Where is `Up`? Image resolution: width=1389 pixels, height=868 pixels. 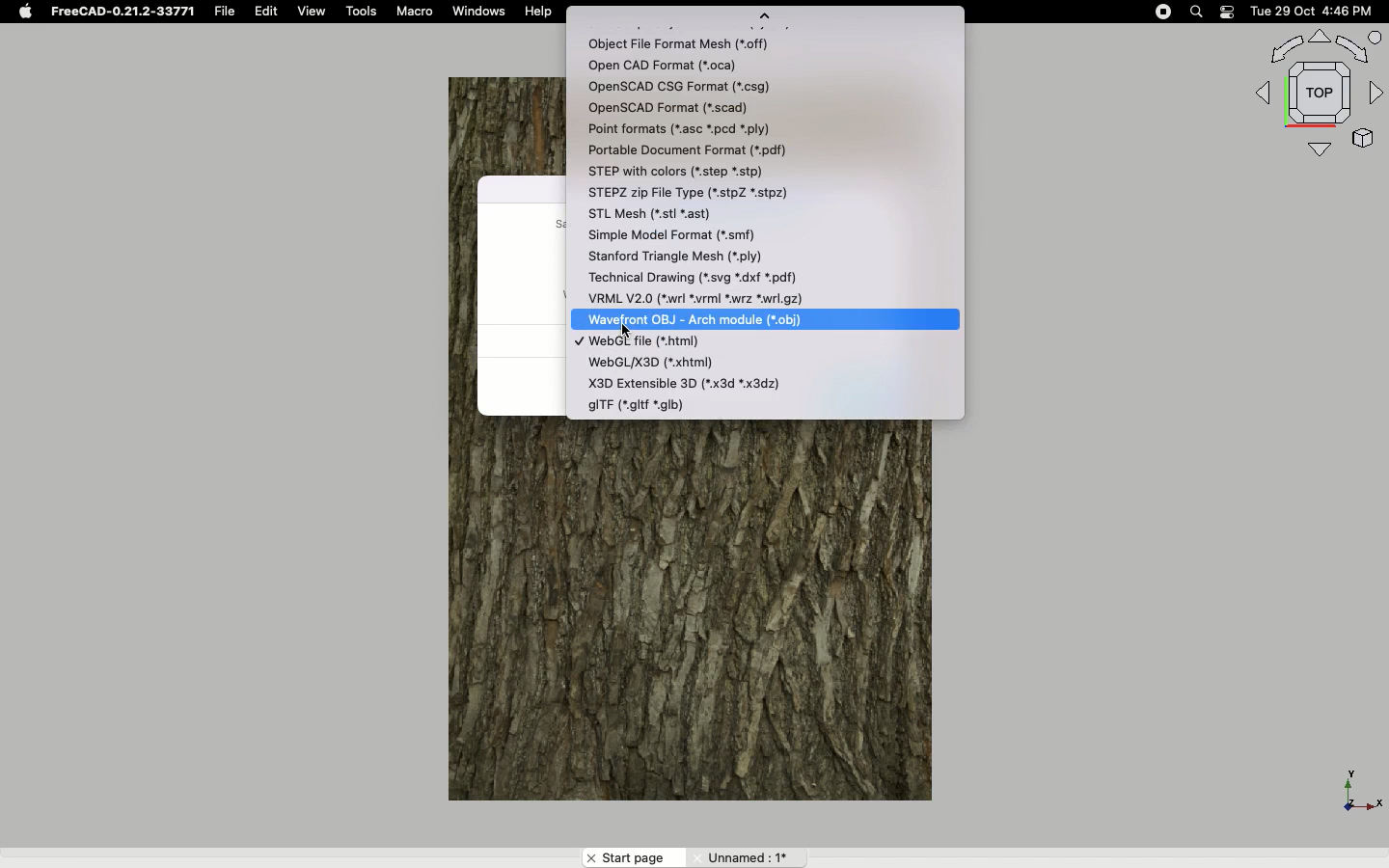 Up is located at coordinates (764, 17).